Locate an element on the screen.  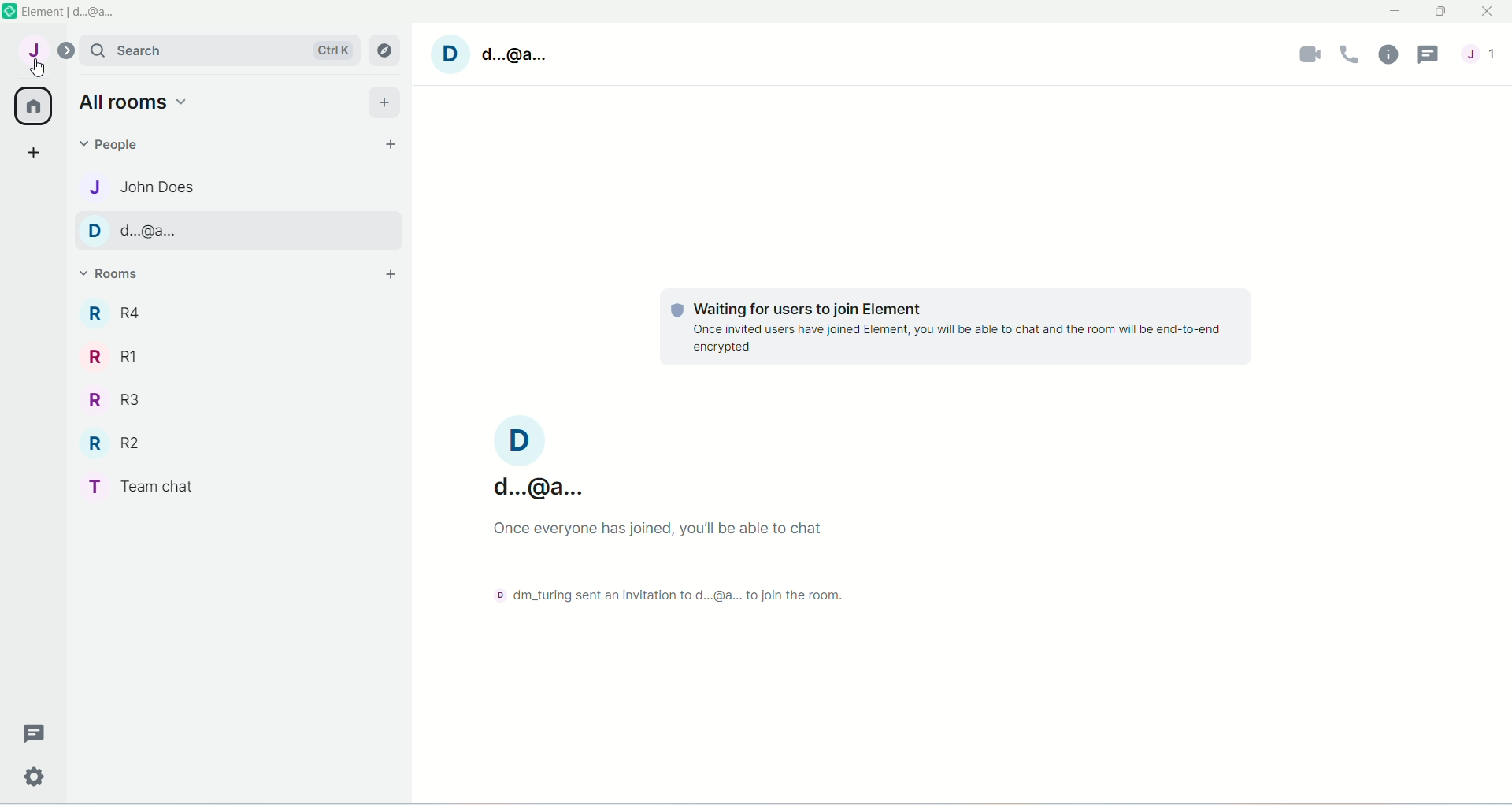
Element d@a is located at coordinates (73, 14).